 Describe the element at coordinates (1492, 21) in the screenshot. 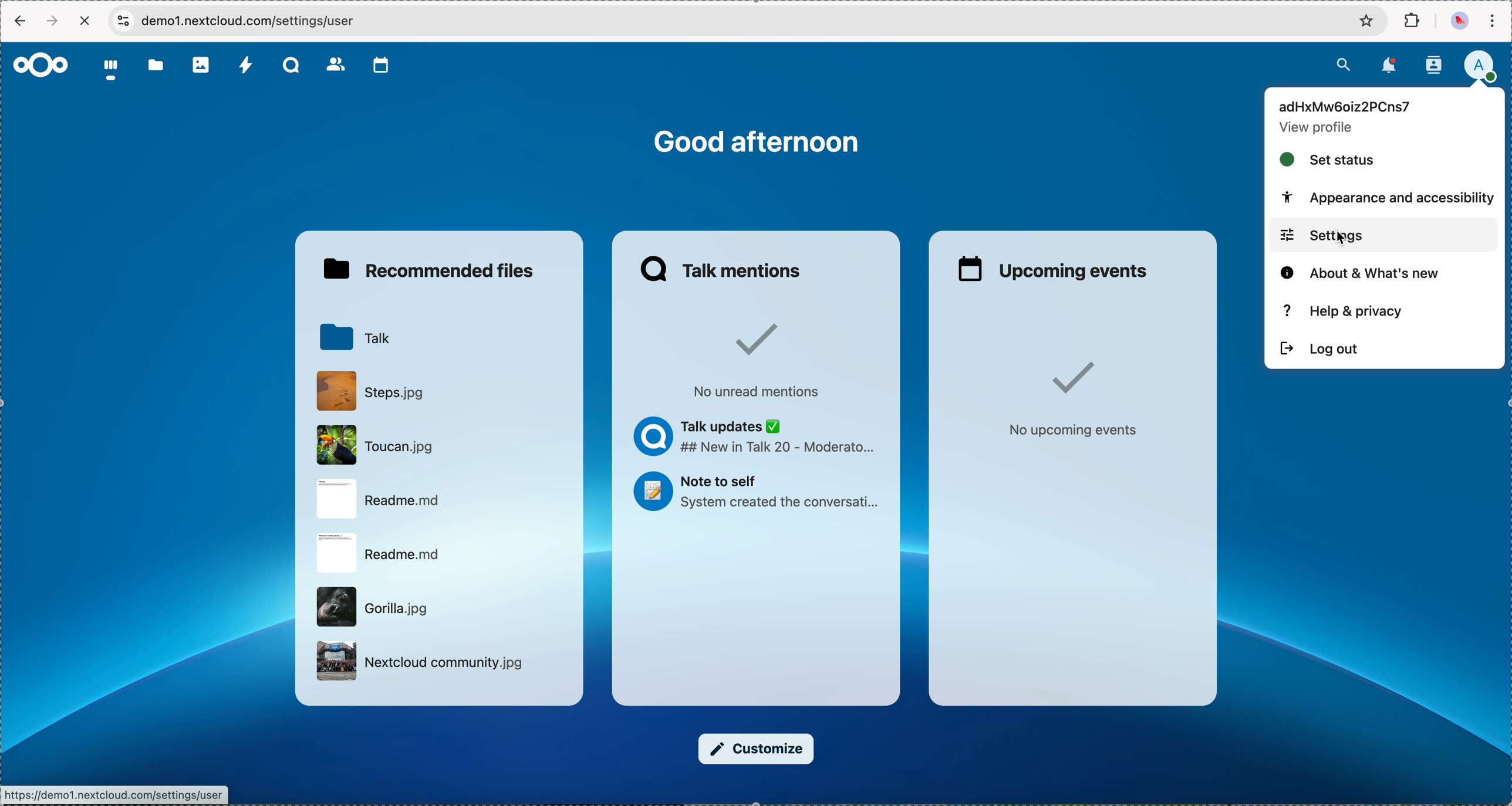

I see `customize and control Google Chrome` at that location.